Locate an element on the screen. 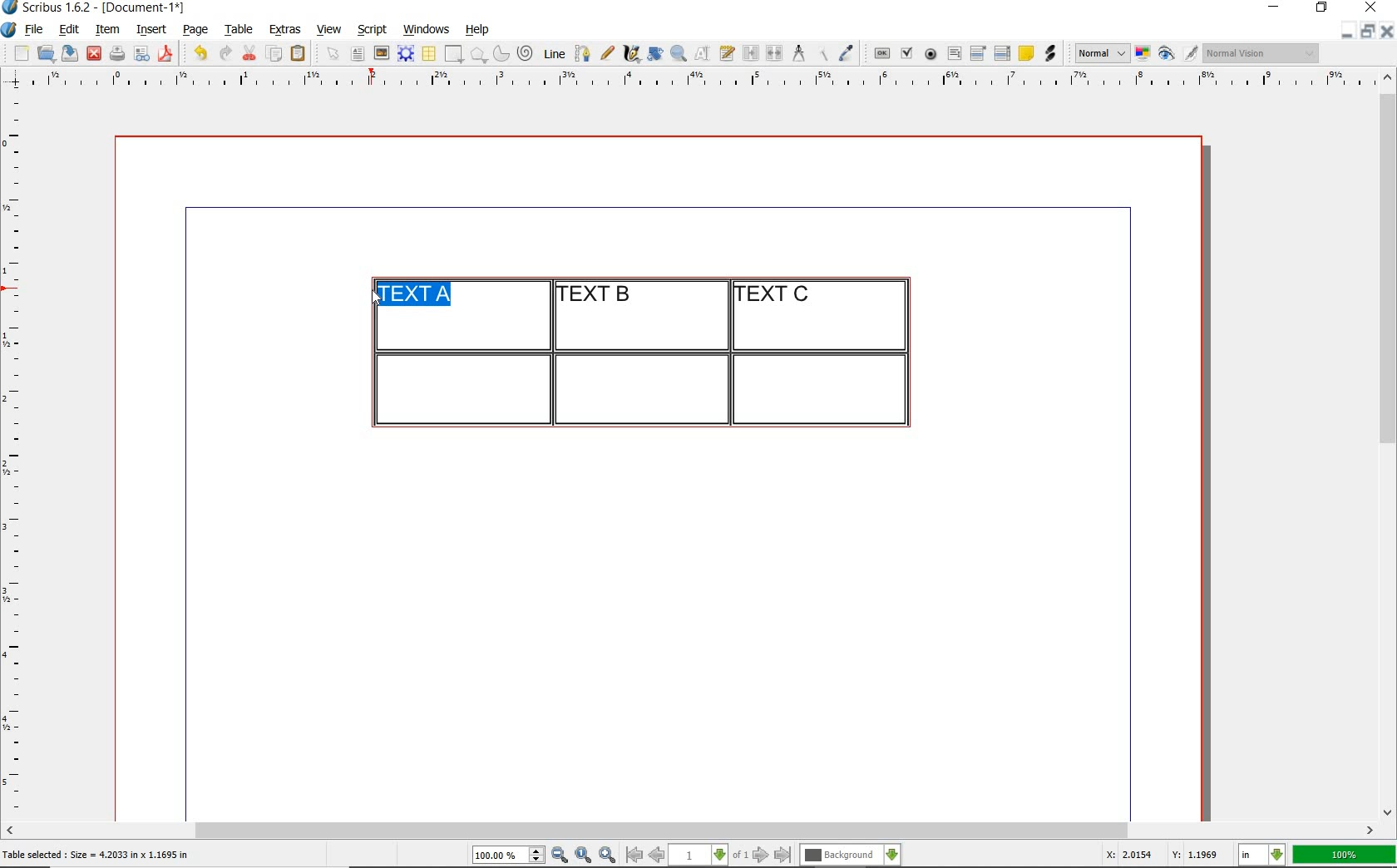  go to first page is located at coordinates (633, 855).